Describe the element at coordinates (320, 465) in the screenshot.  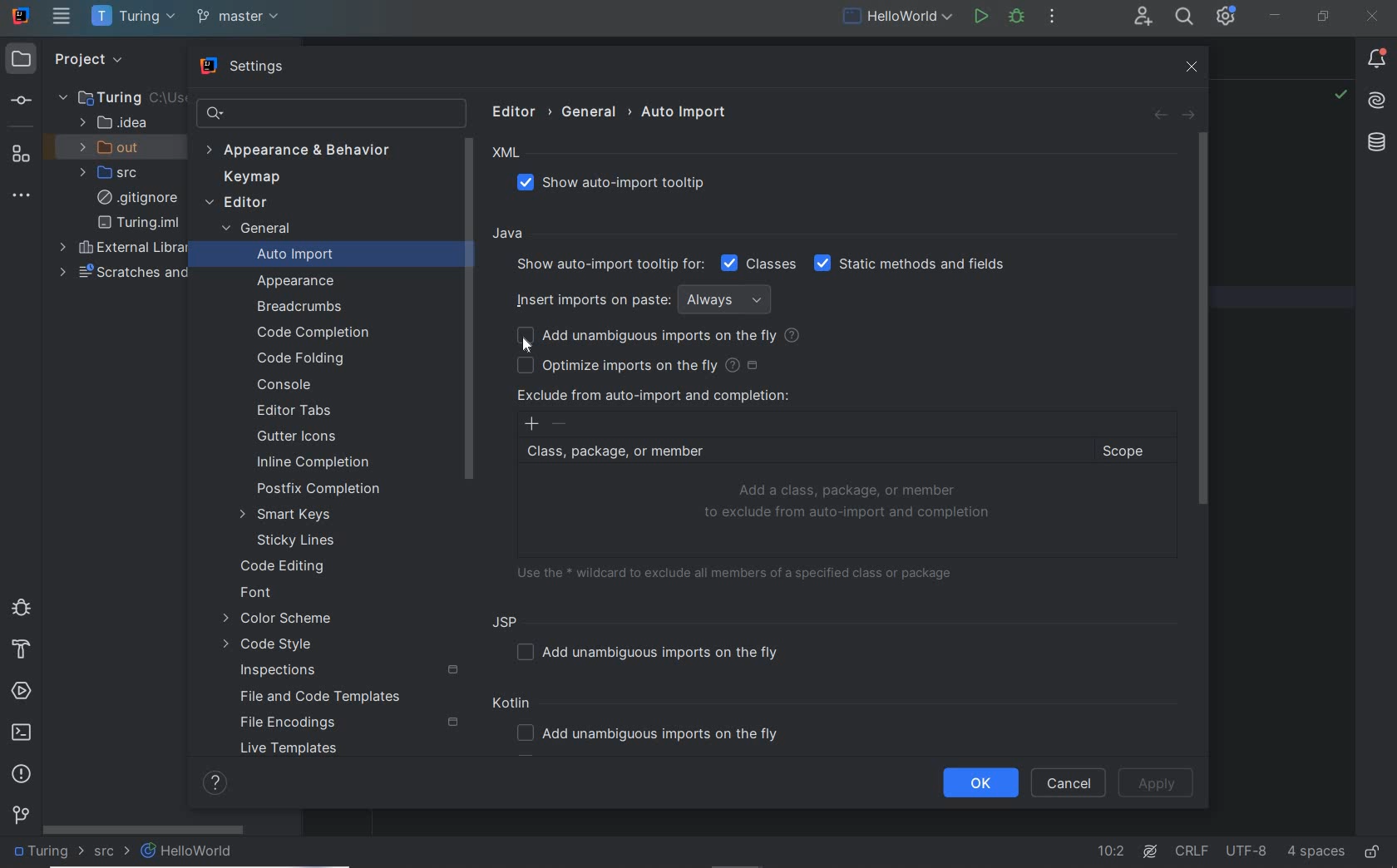
I see `INLINE COMPLETION` at that location.